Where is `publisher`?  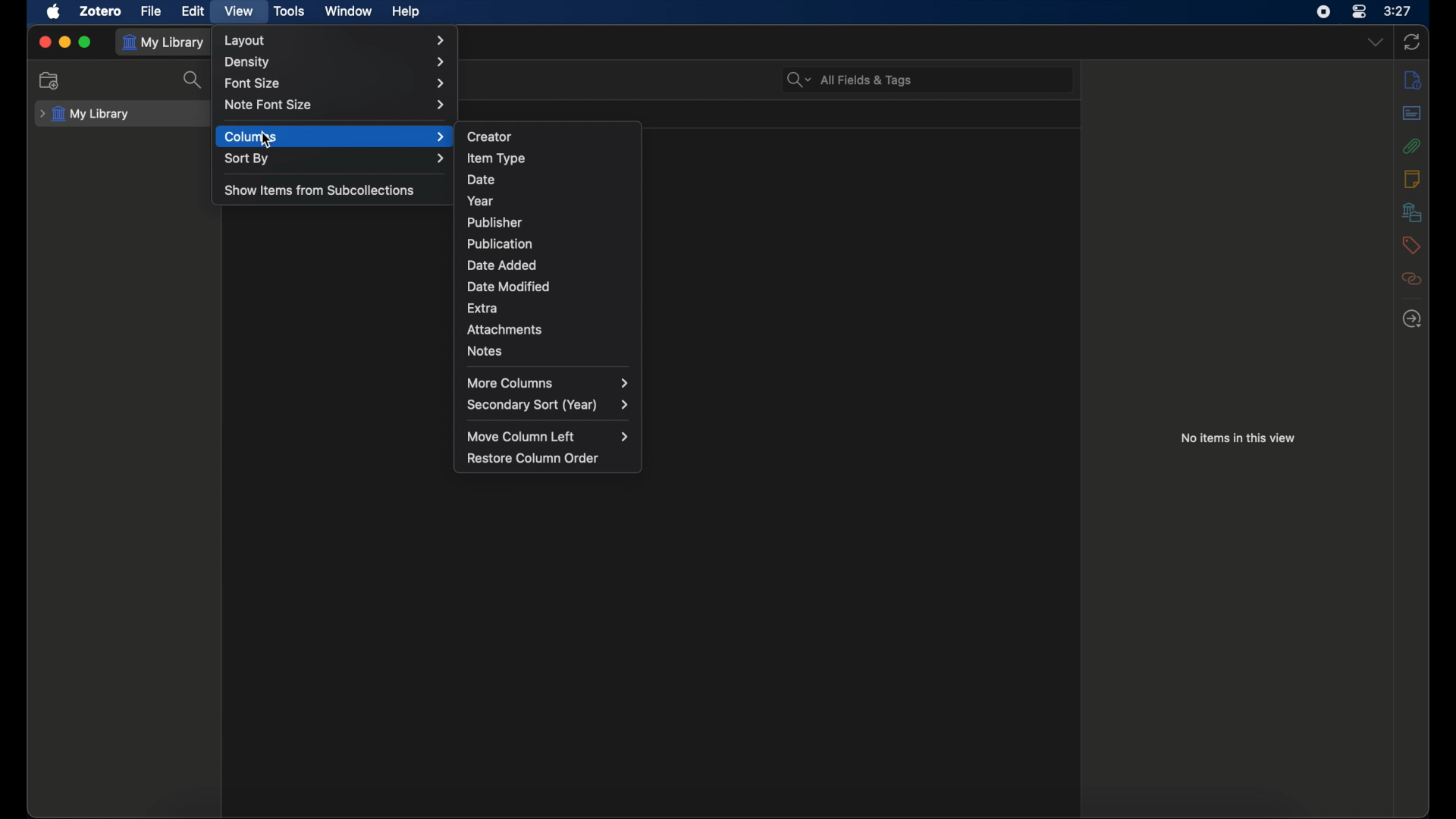
publisher is located at coordinates (495, 222).